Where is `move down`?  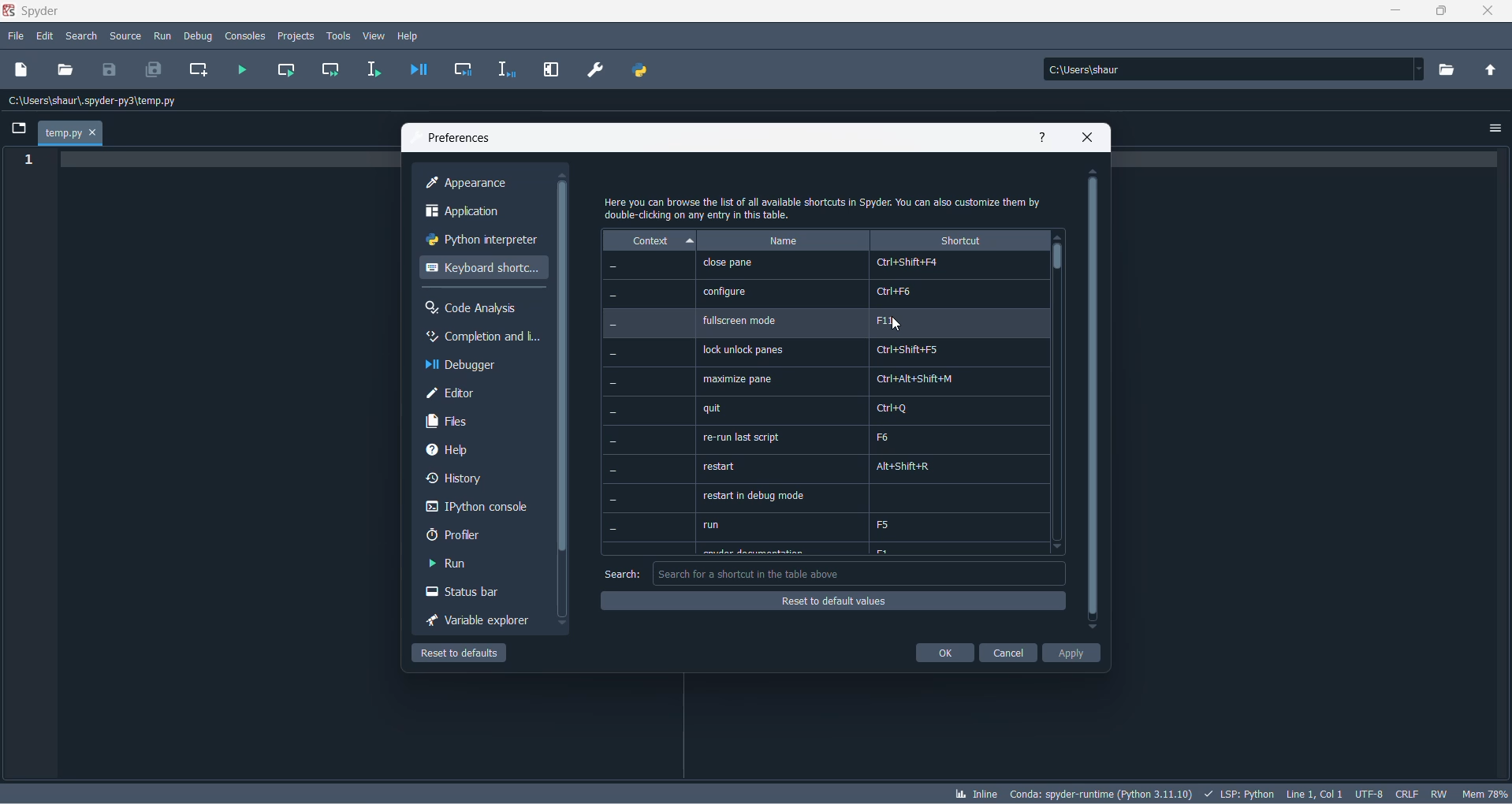 move down is located at coordinates (1092, 628).